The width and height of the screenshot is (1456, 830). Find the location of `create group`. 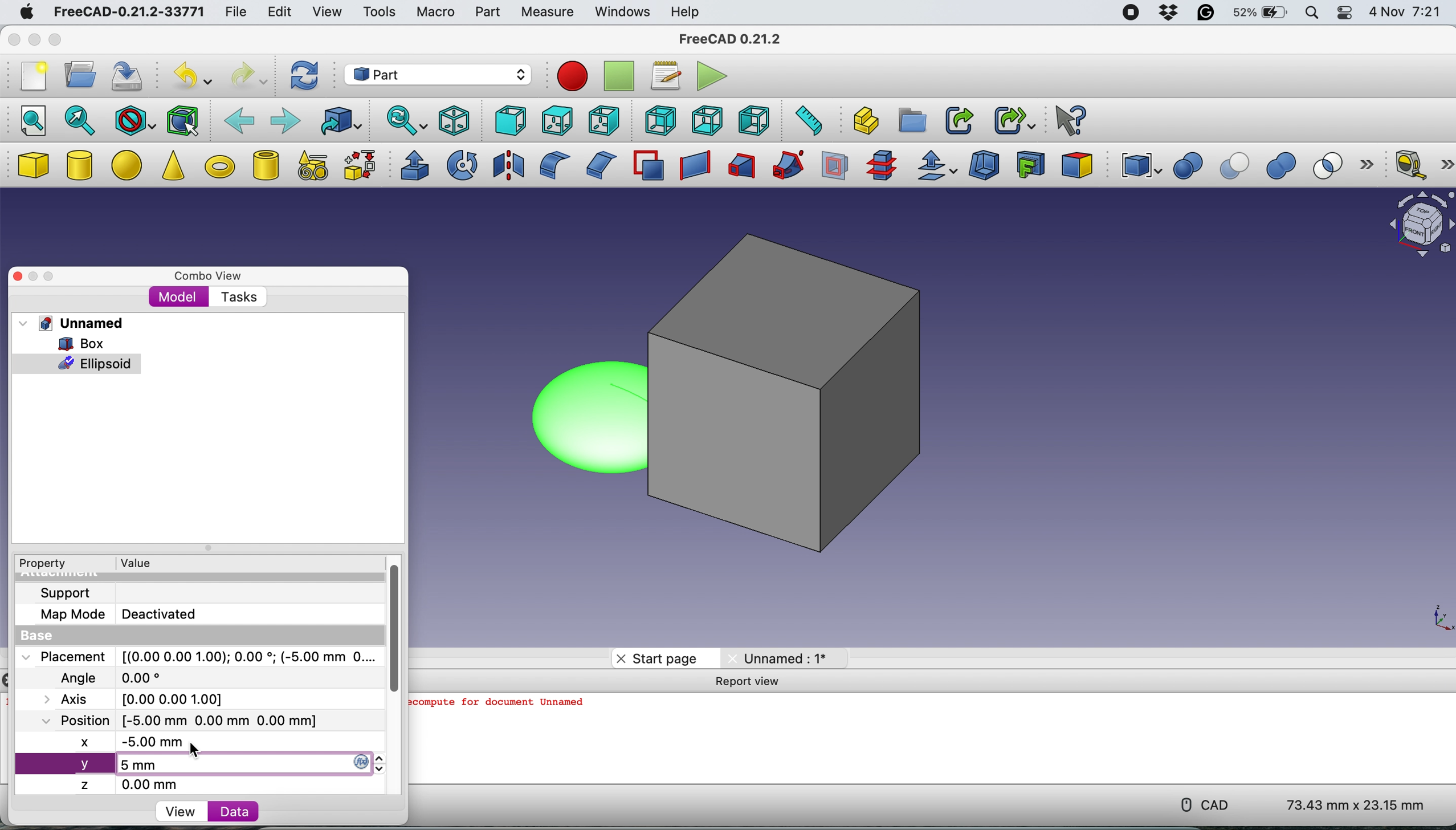

create group is located at coordinates (913, 120).